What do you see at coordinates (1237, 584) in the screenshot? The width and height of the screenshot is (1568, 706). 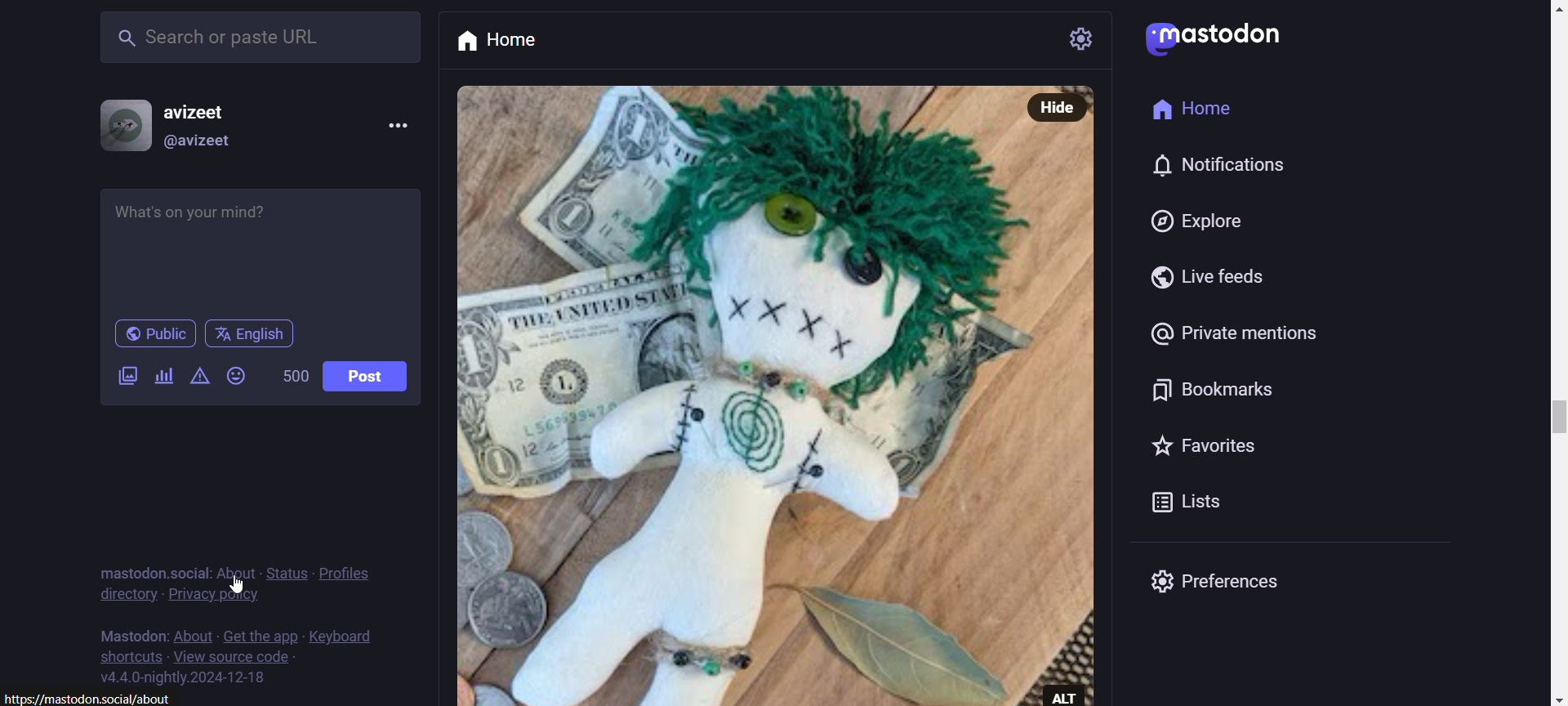 I see `preferences` at bounding box center [1237, 584].